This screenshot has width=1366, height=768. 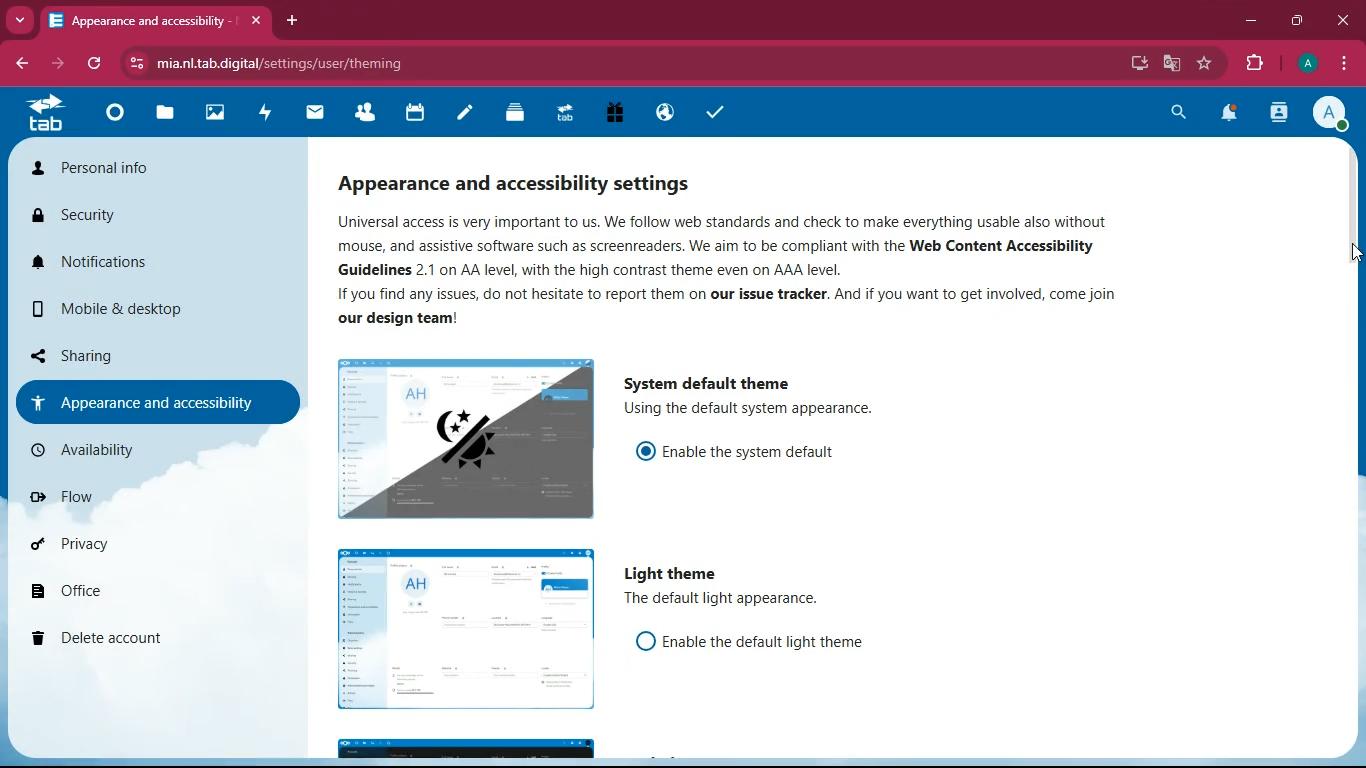 What do you see at coordinates (140, 267) in the screenshot?
I see `notifications` at bounding box center [140, 267].